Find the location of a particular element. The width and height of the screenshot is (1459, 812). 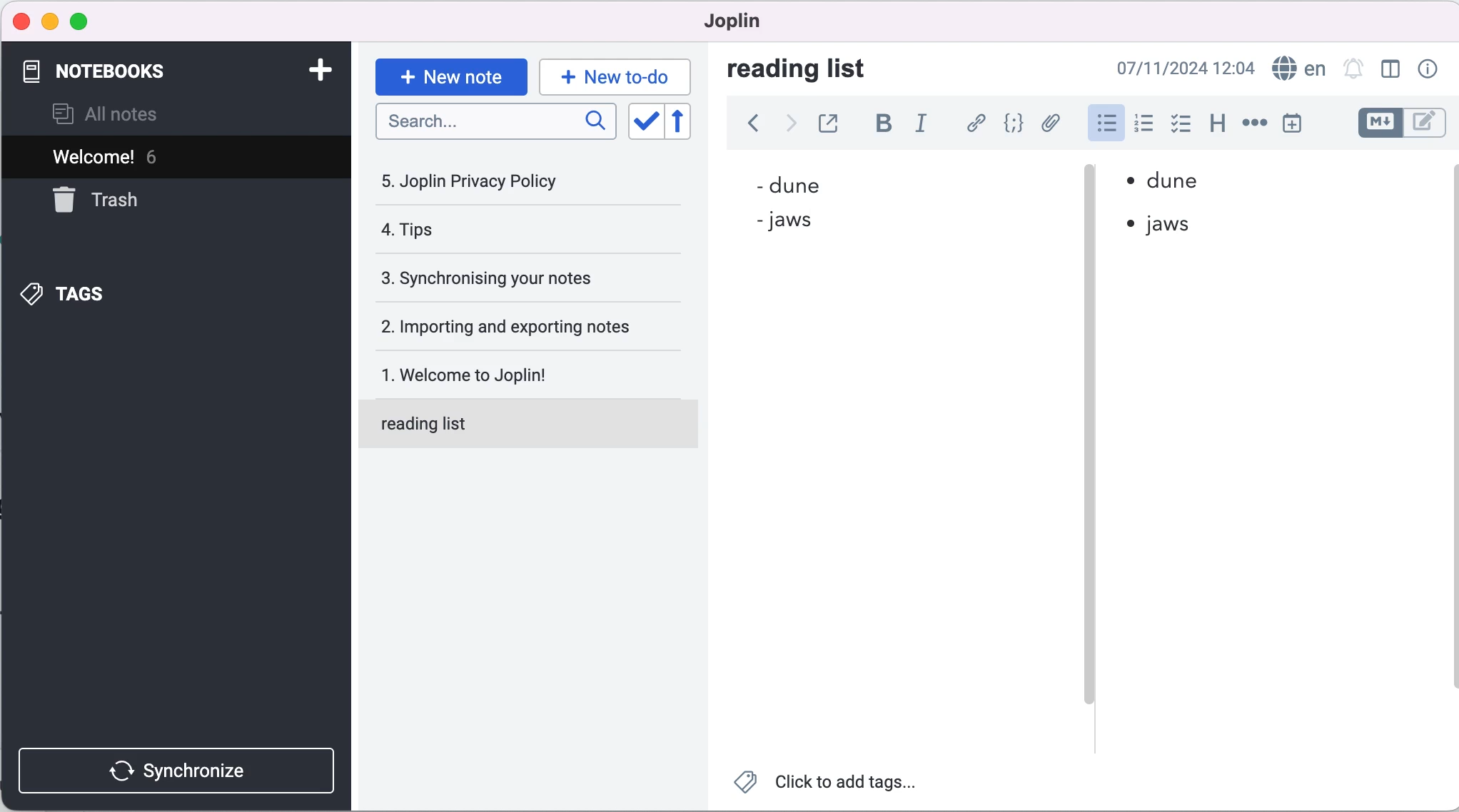

new note is located at coordinates (449, 76).